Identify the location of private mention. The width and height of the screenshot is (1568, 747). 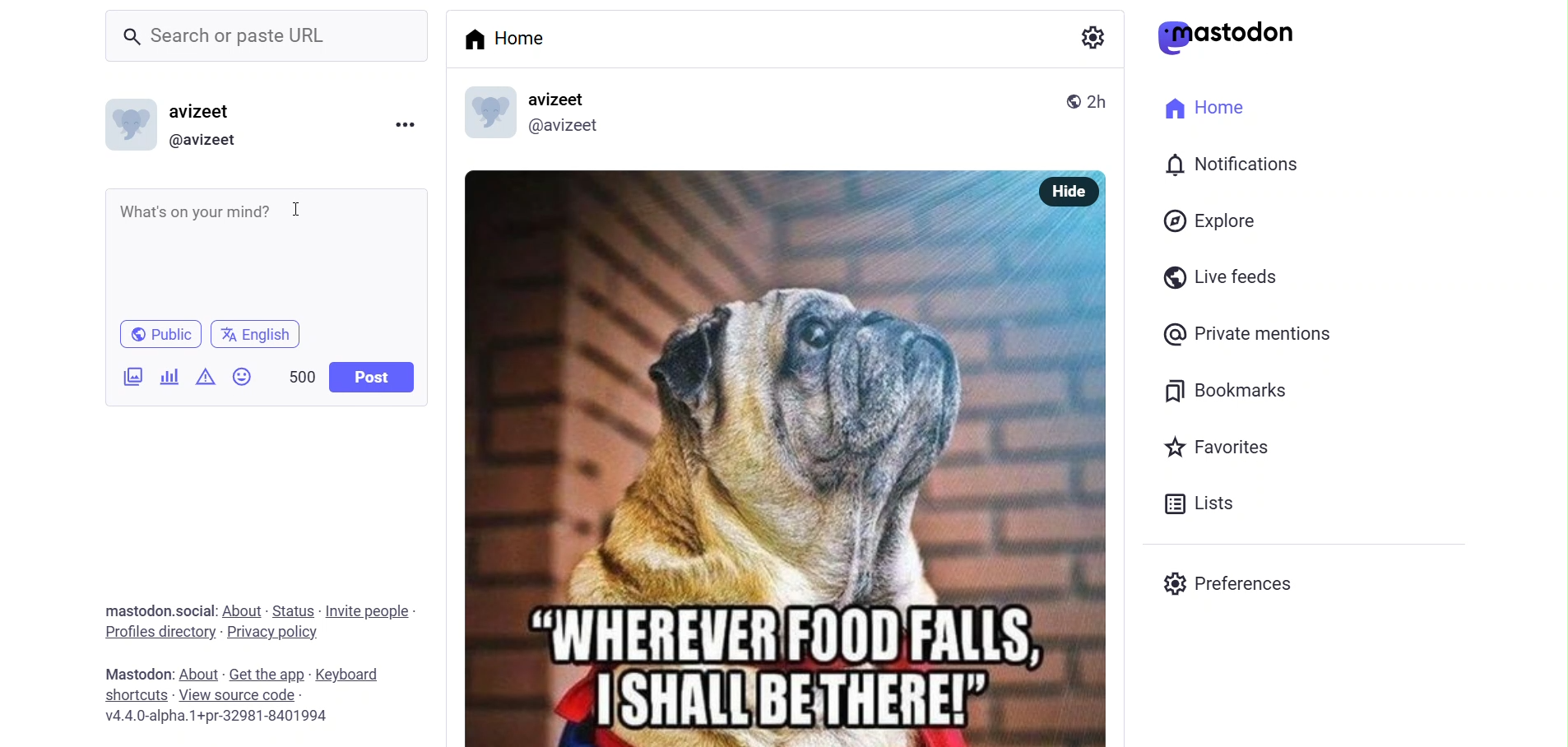
(1255, 336).